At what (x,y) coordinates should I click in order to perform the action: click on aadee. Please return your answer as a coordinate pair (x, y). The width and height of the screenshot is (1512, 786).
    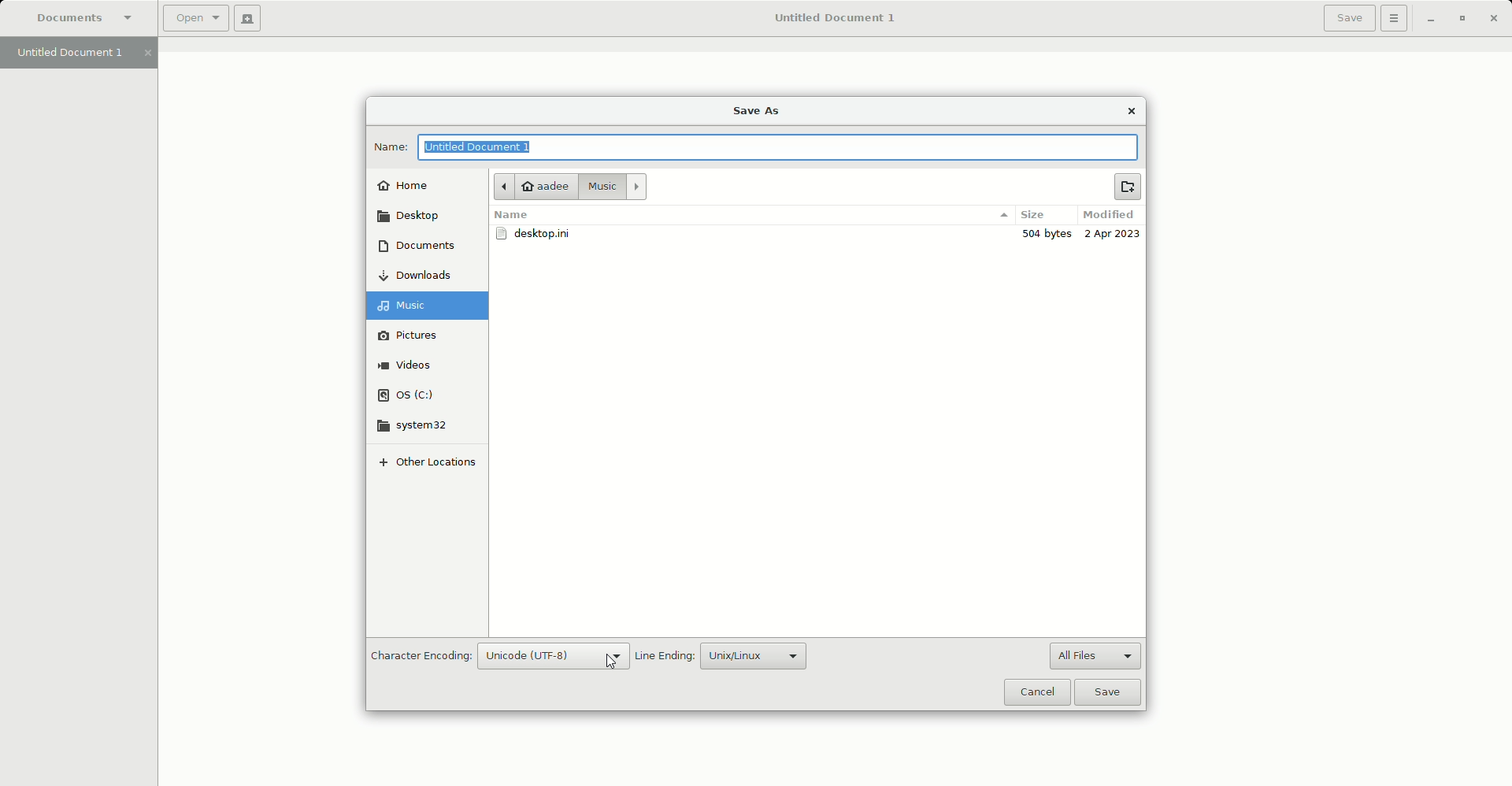
    Looking at the image, I should click on (535, 185).